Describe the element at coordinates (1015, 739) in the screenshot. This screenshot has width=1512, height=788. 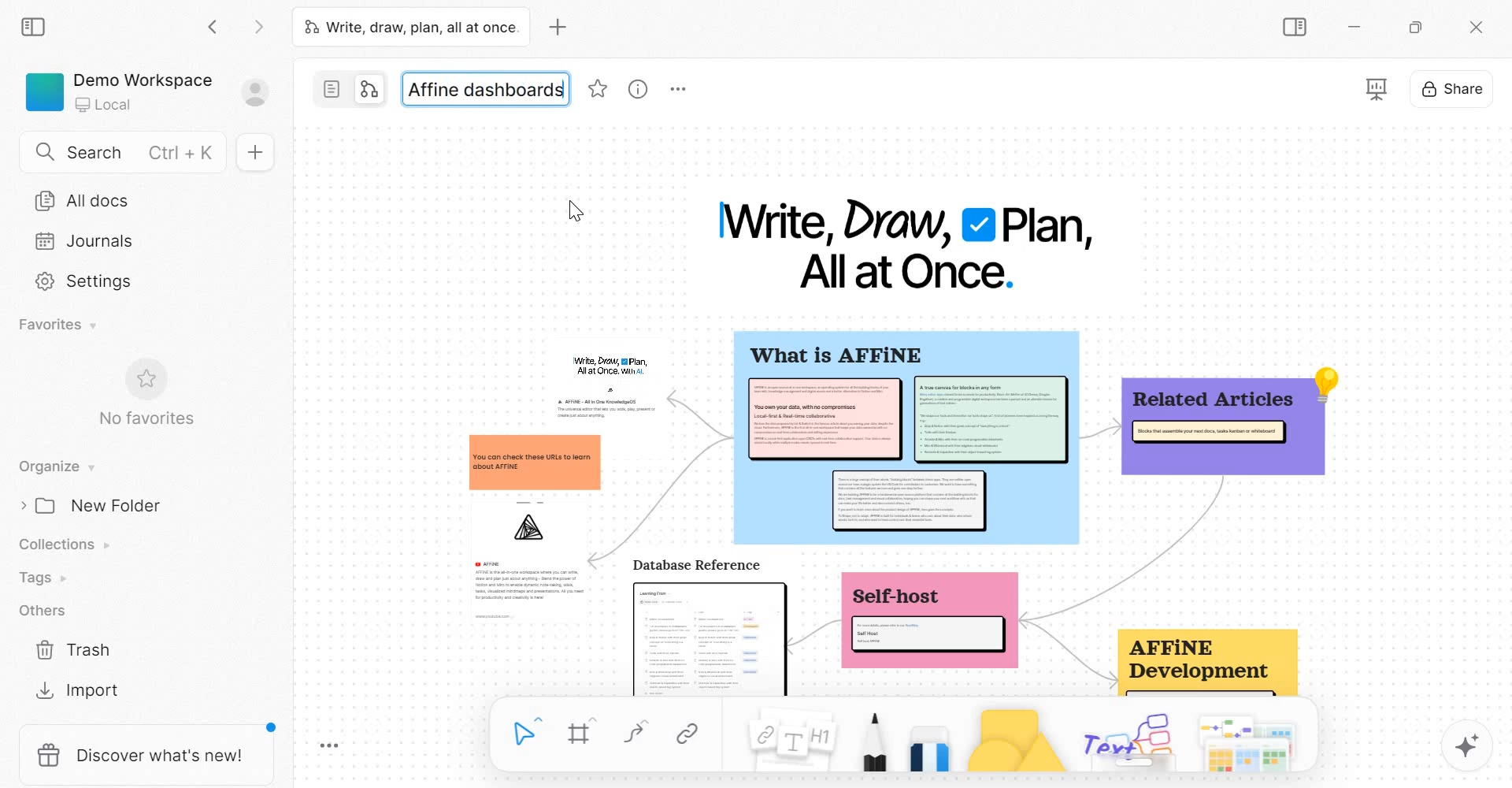
I see `Shape` at that location.